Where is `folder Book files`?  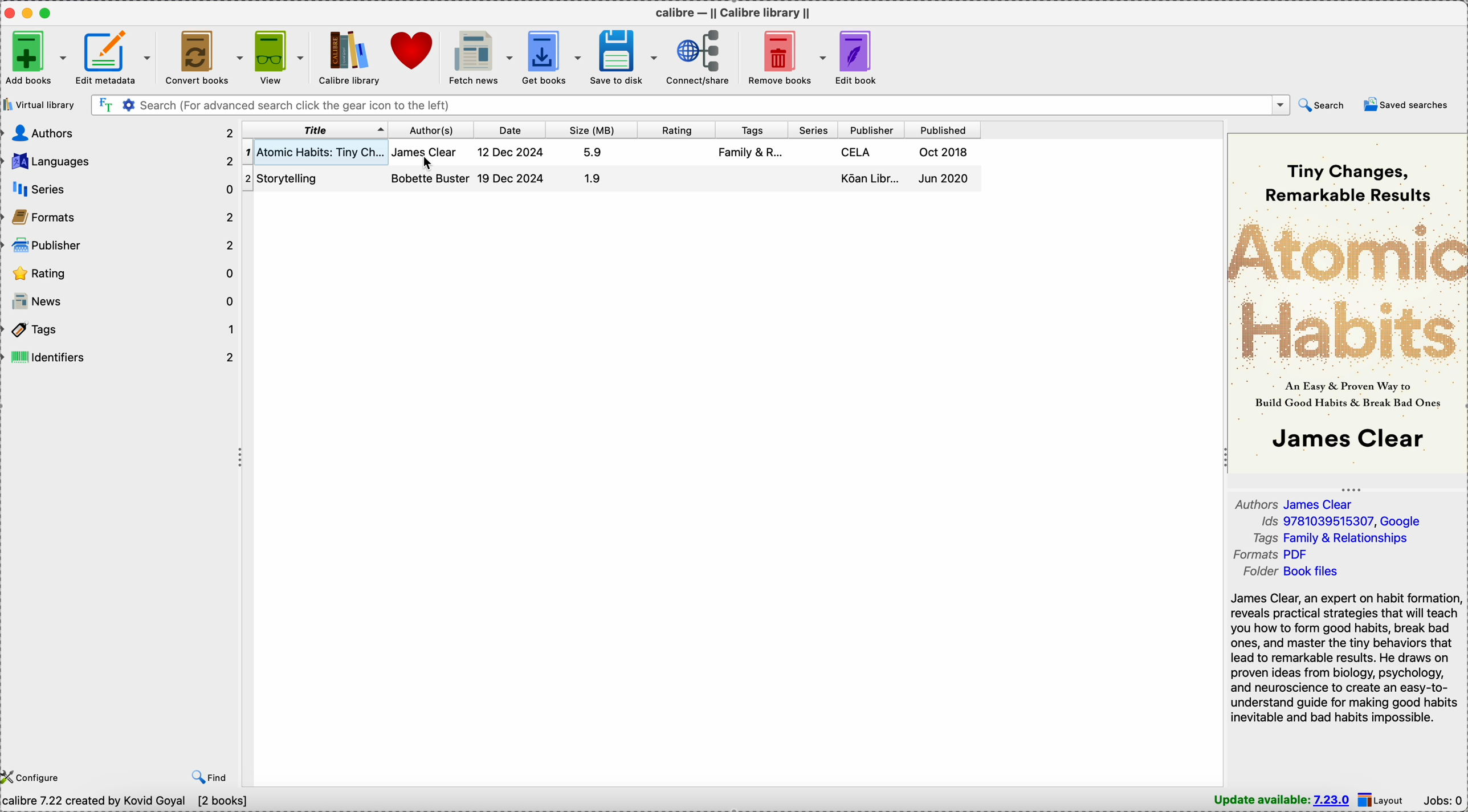
folder Book files is located at coordinates (1292, 572).